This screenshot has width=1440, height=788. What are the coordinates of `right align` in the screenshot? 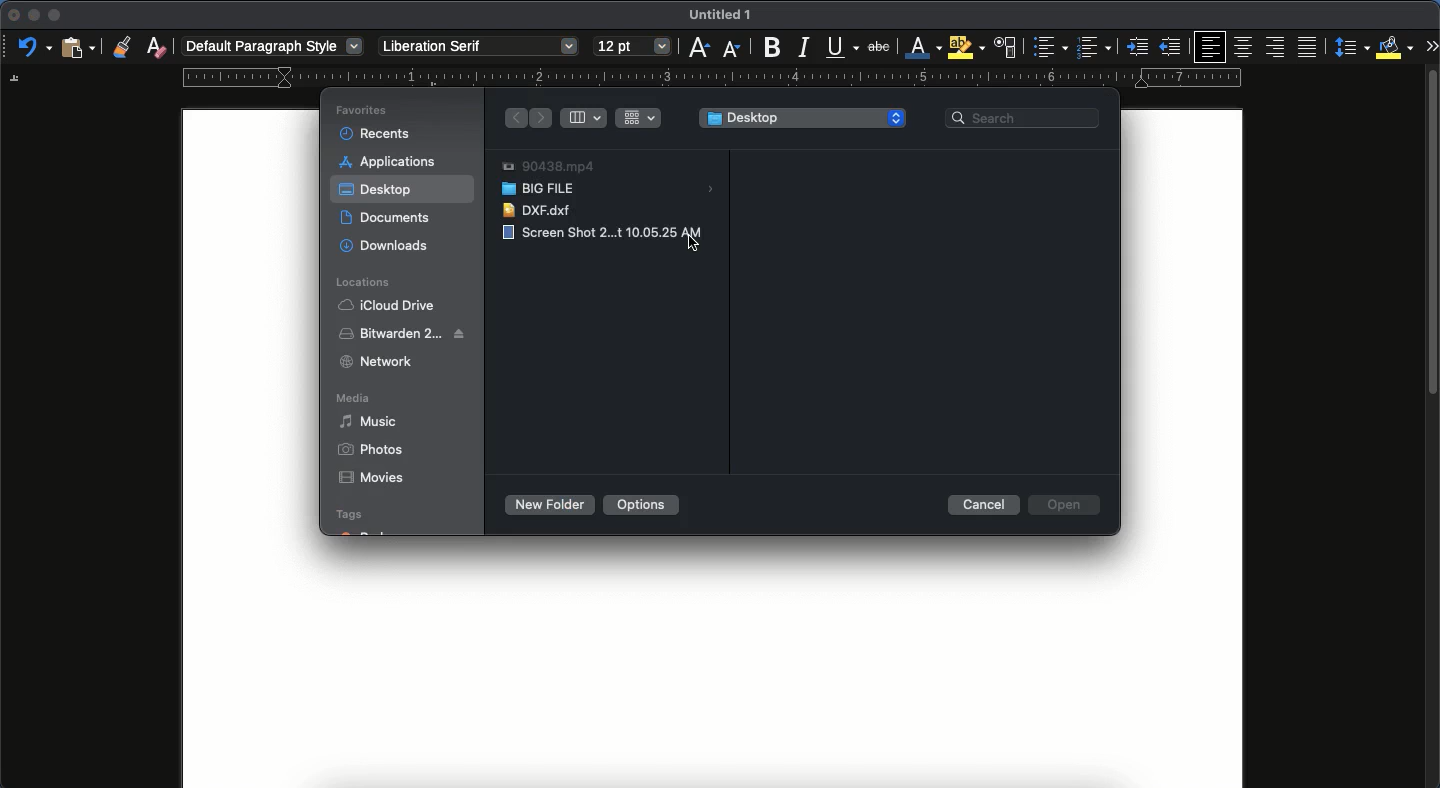 It's located at (1277, 48).